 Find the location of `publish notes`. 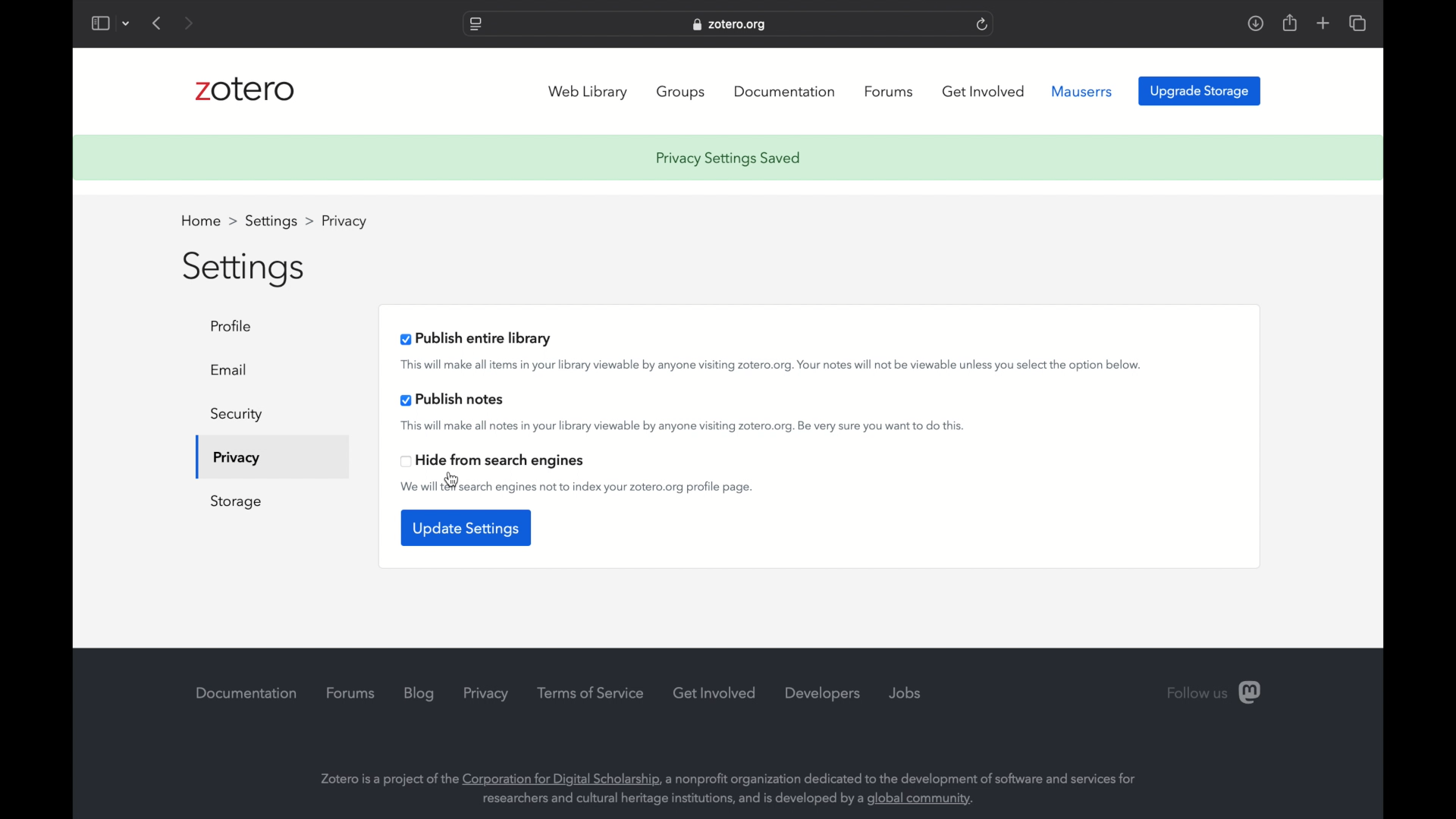

publish notes is located at coordinates (450, 398).